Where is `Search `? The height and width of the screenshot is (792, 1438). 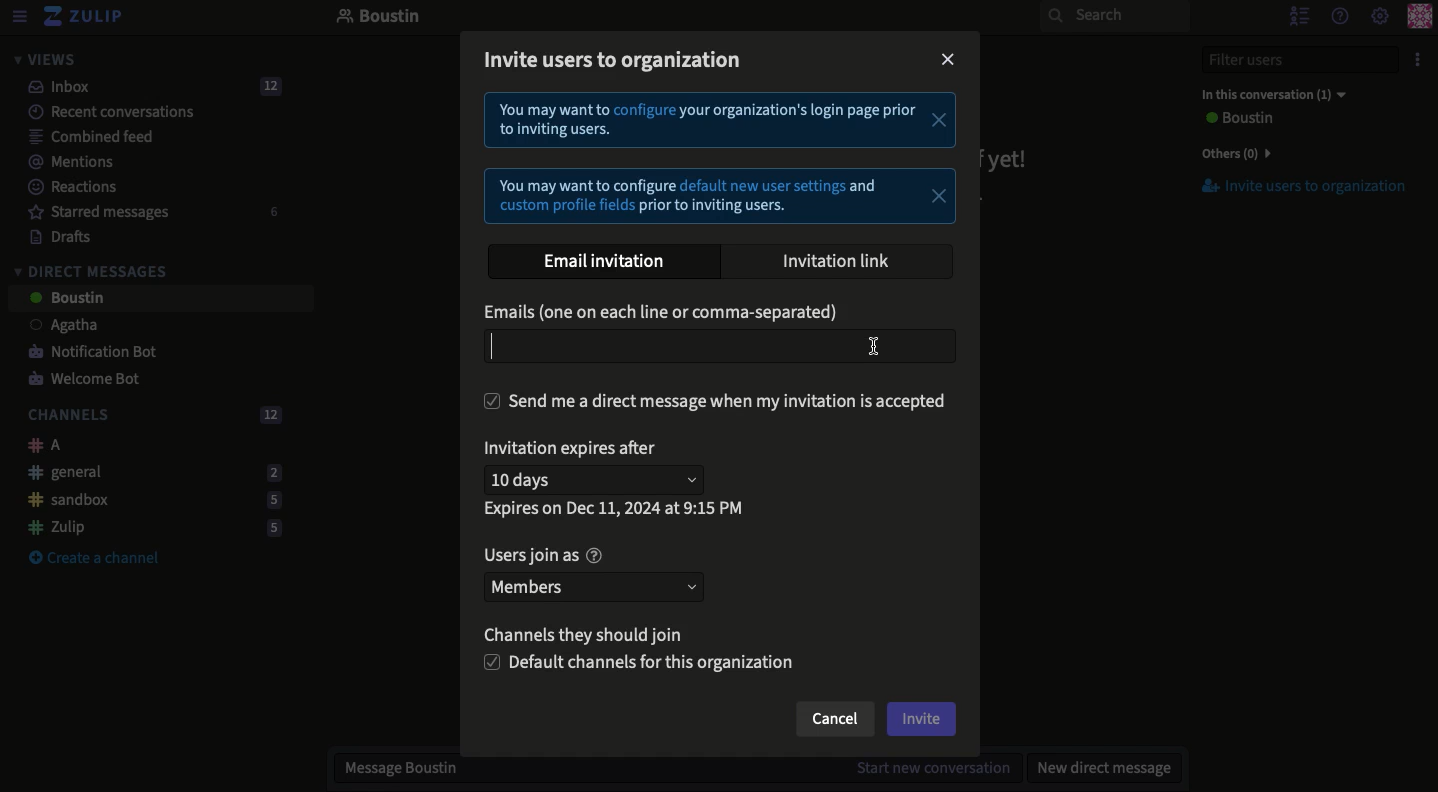
Search  is located at coordinates (1114, 16).